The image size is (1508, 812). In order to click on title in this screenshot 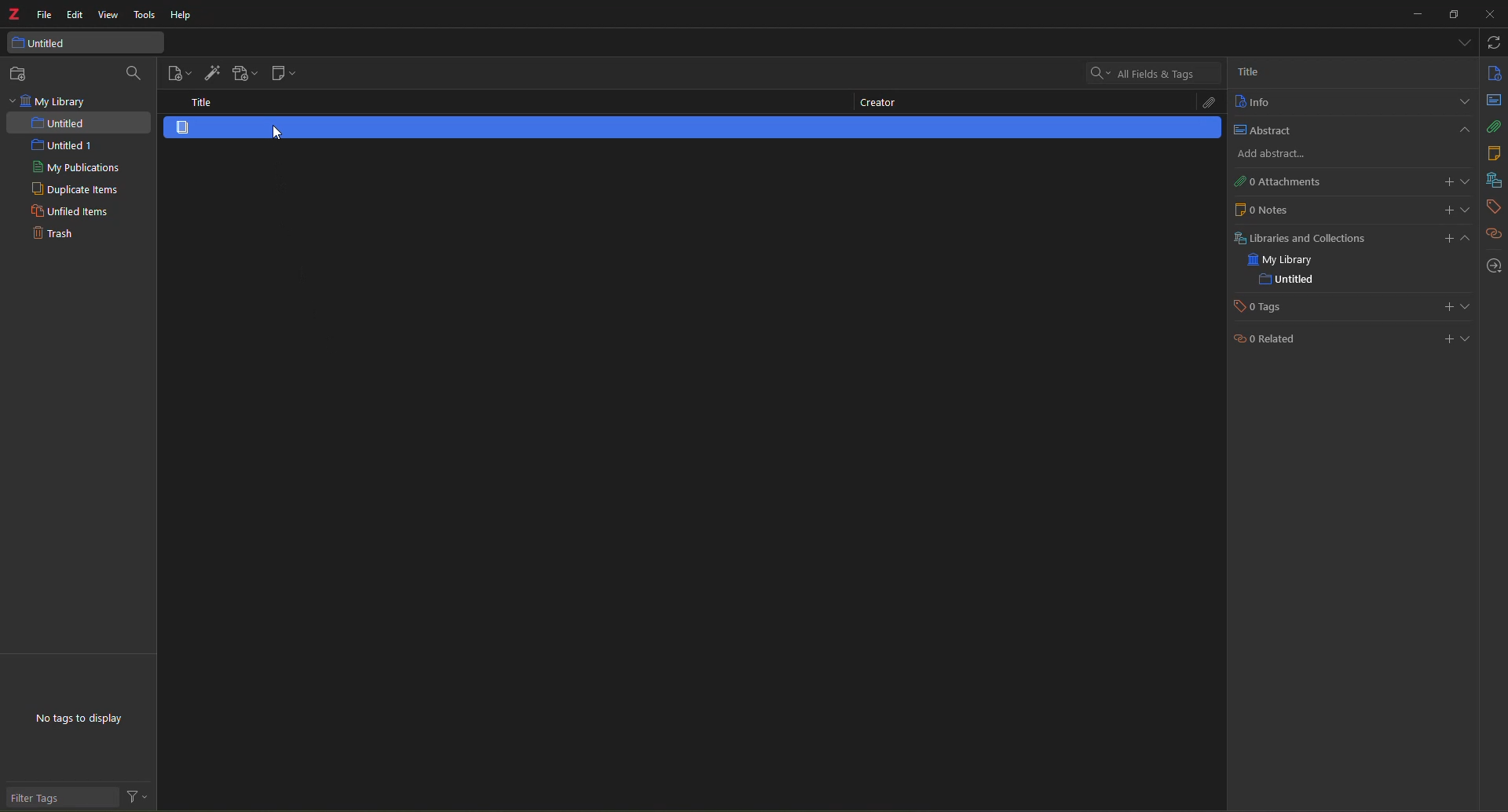, I will do `click(1247, 71)`.